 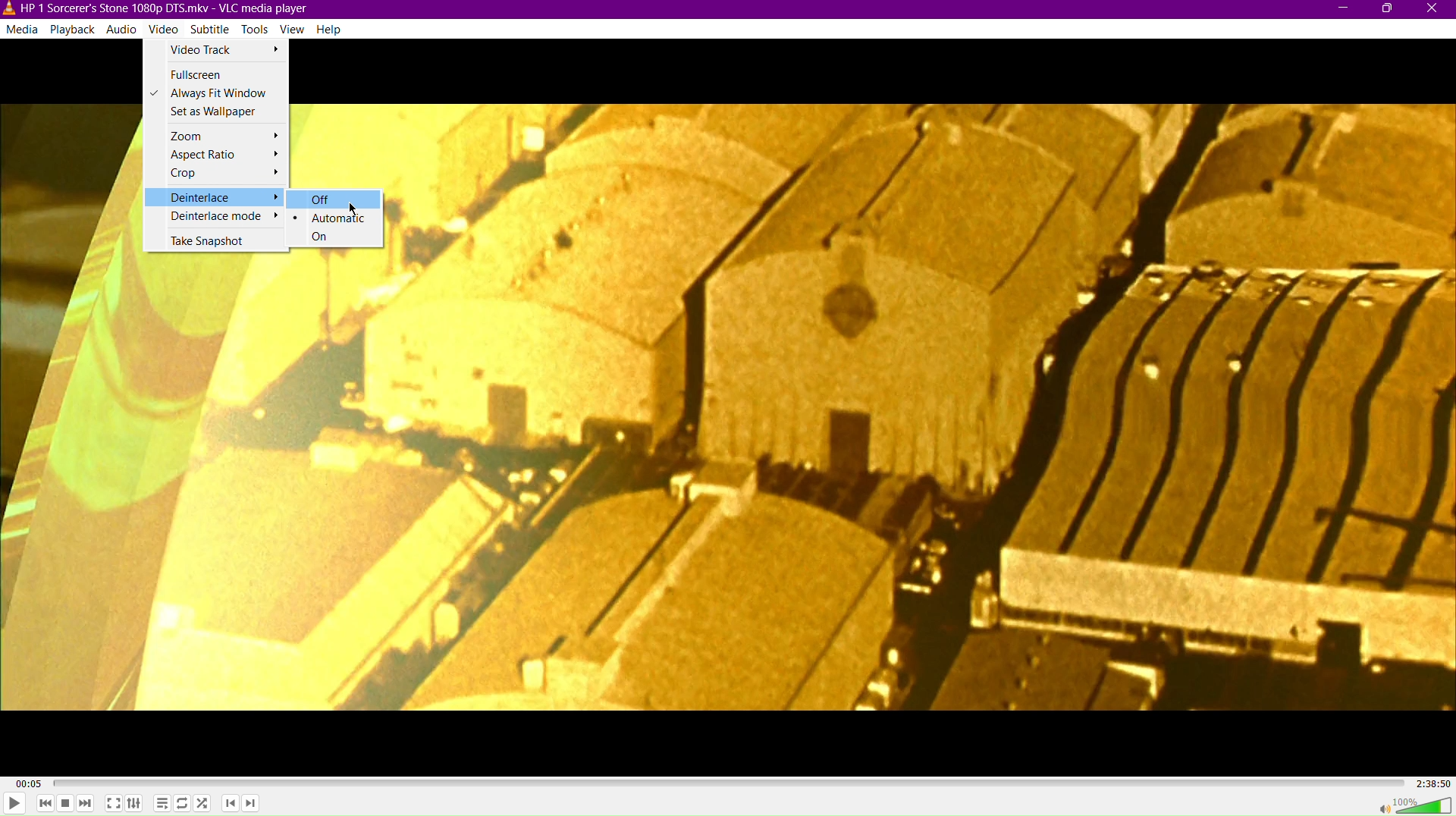 I want to click on Audio, so click(x=121, y=29).